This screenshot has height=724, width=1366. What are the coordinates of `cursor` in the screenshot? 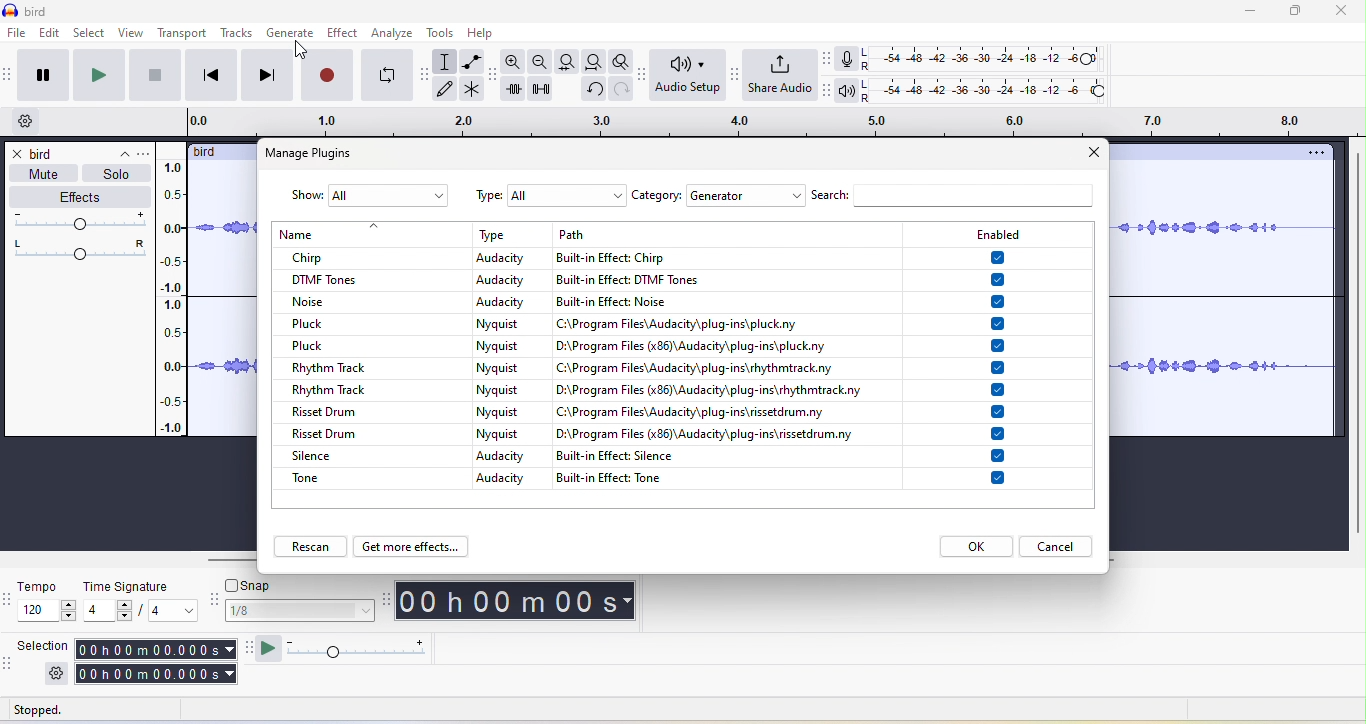 It's located at (300, 51).